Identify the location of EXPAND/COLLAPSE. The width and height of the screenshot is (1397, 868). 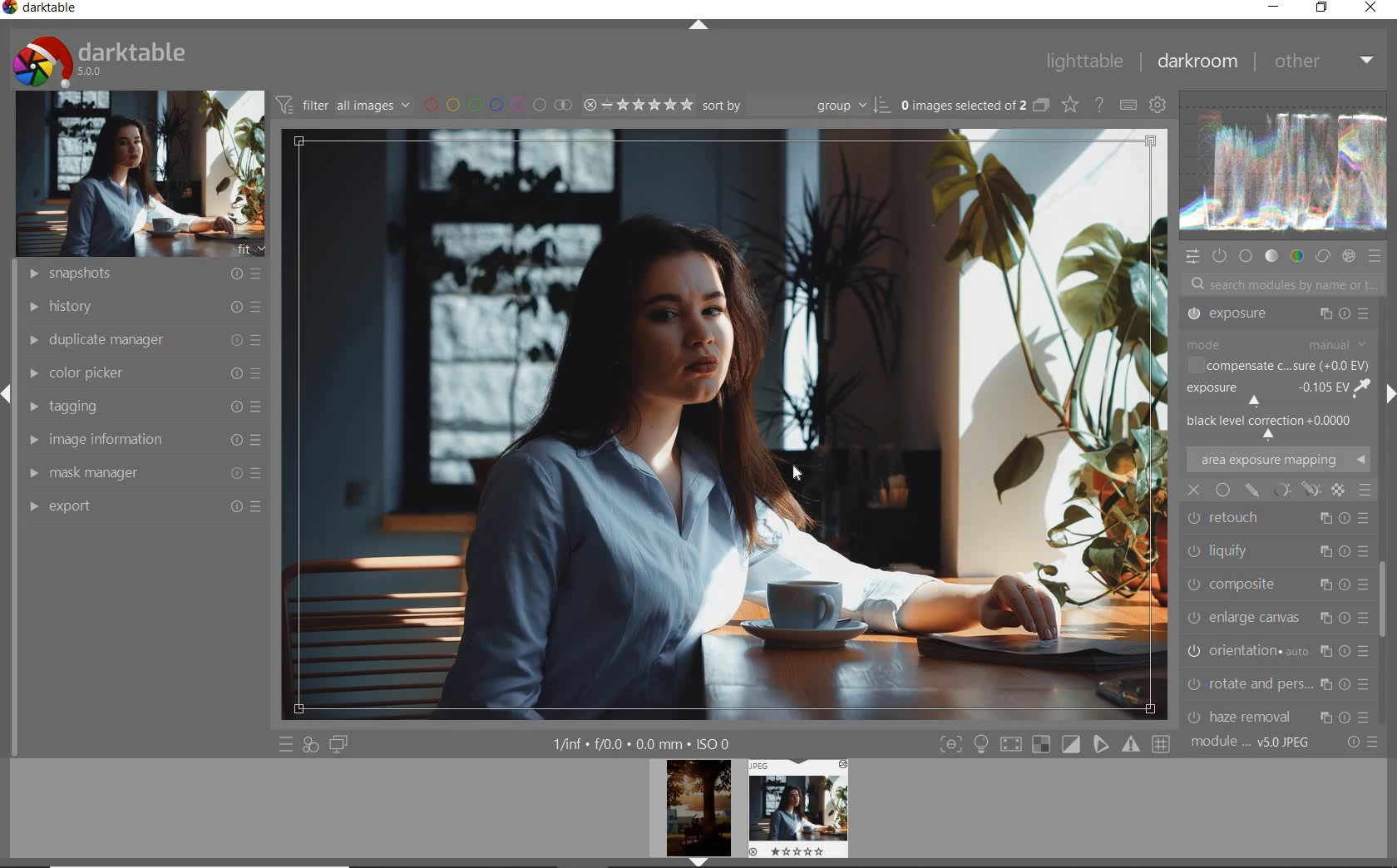
(699, 26).